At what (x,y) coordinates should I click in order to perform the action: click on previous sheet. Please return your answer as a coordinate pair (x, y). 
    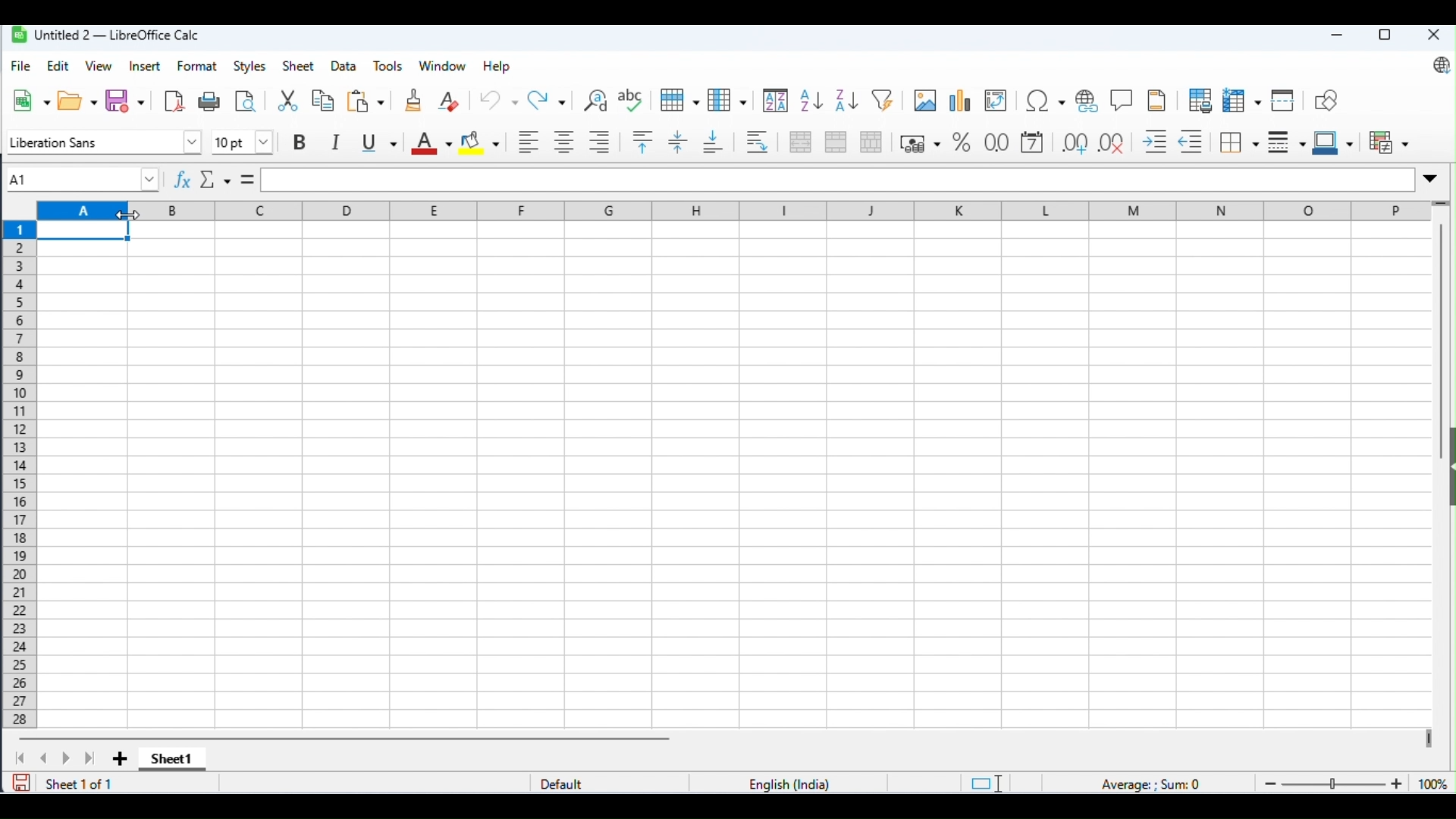
    Looking at the image, I should click on (44, 758).